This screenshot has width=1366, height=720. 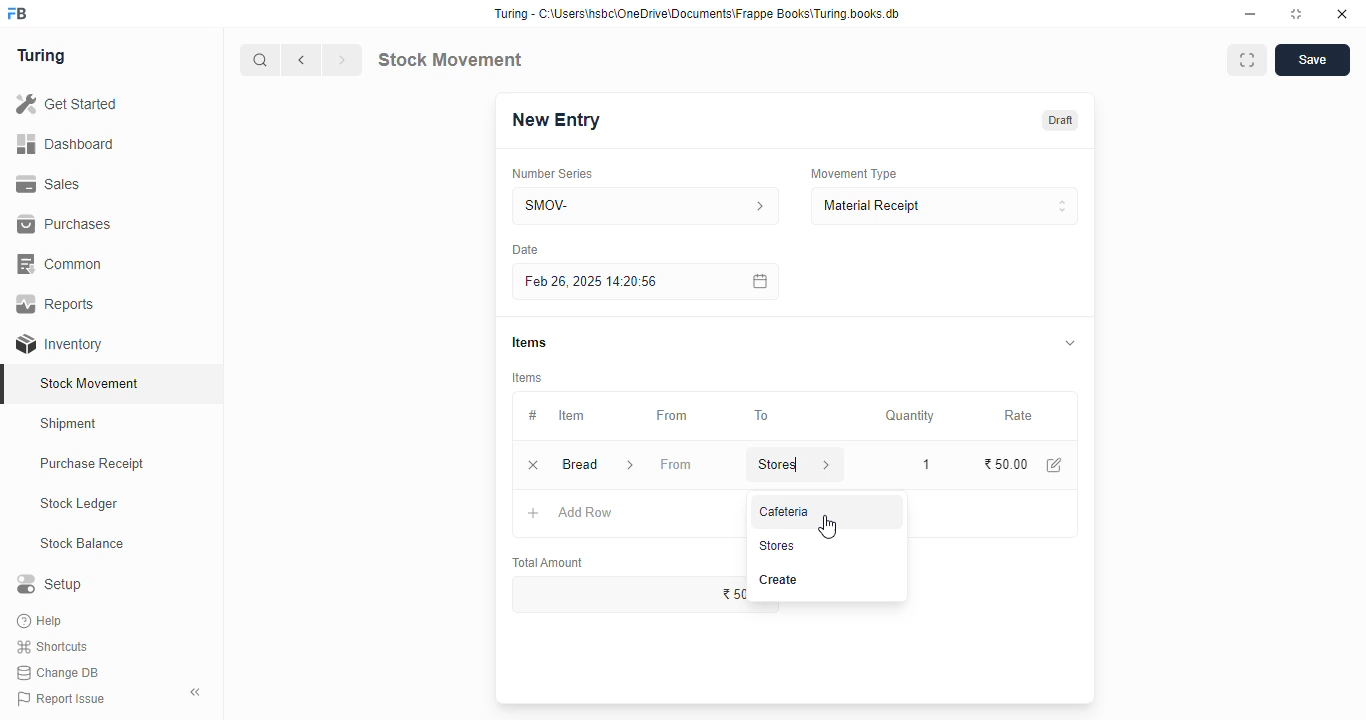 What do you see at coordinates (630, 466) in the screenshot?
I see `item information` at bounding box center [630, 466].